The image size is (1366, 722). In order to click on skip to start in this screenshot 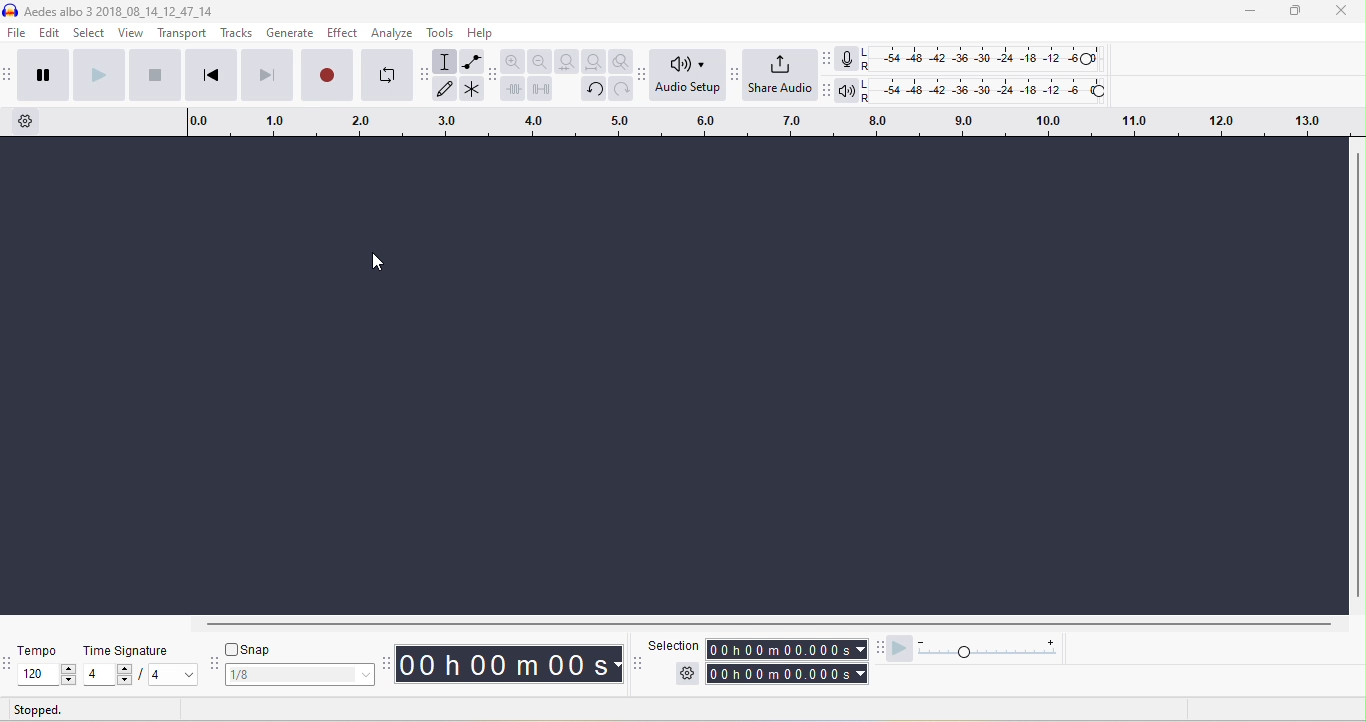, I will do `click(209, 74)`.